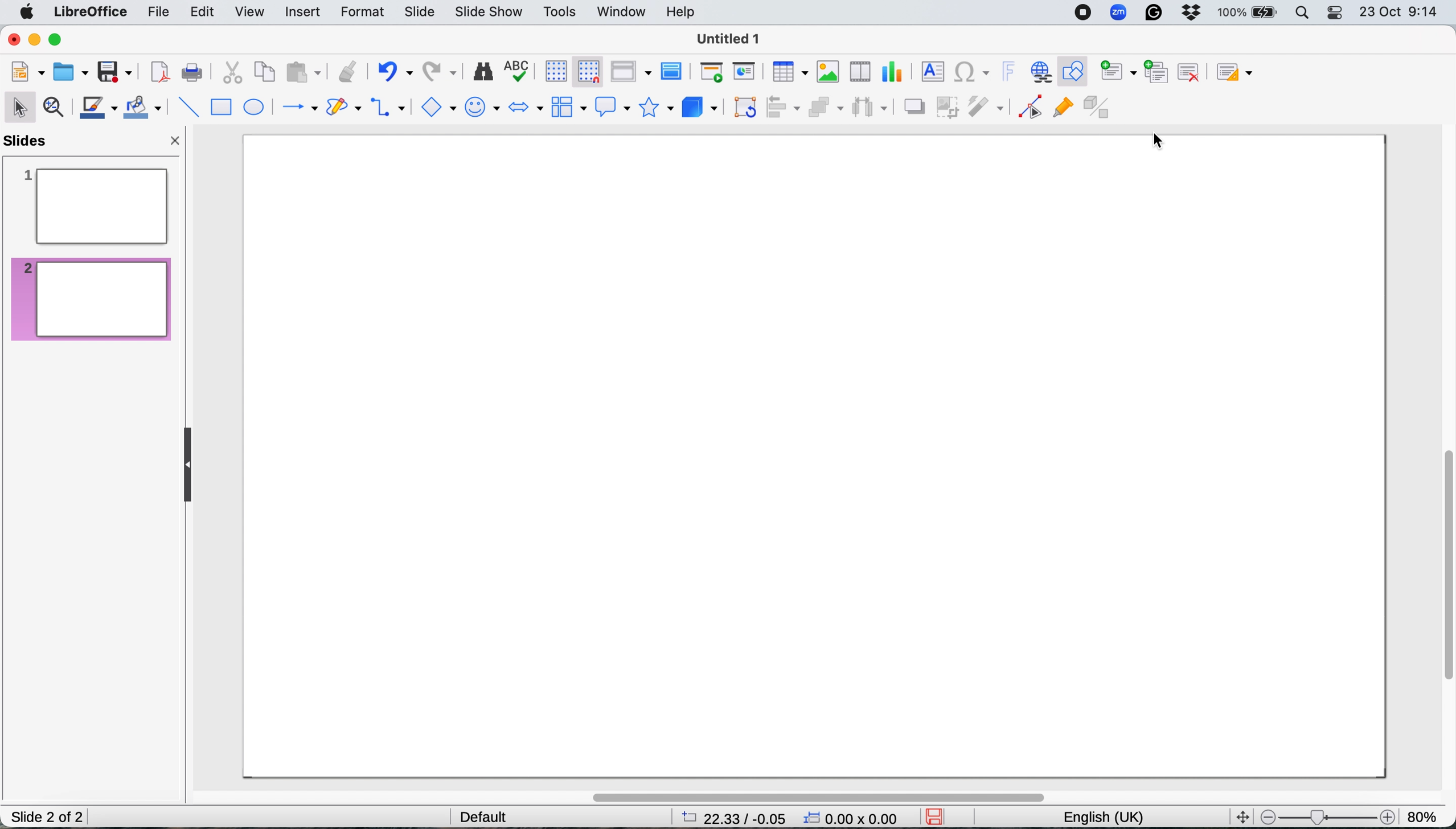  Describe the element at coordinates (1082, 14) in the screenshot. I see `screen recorder` at that location.